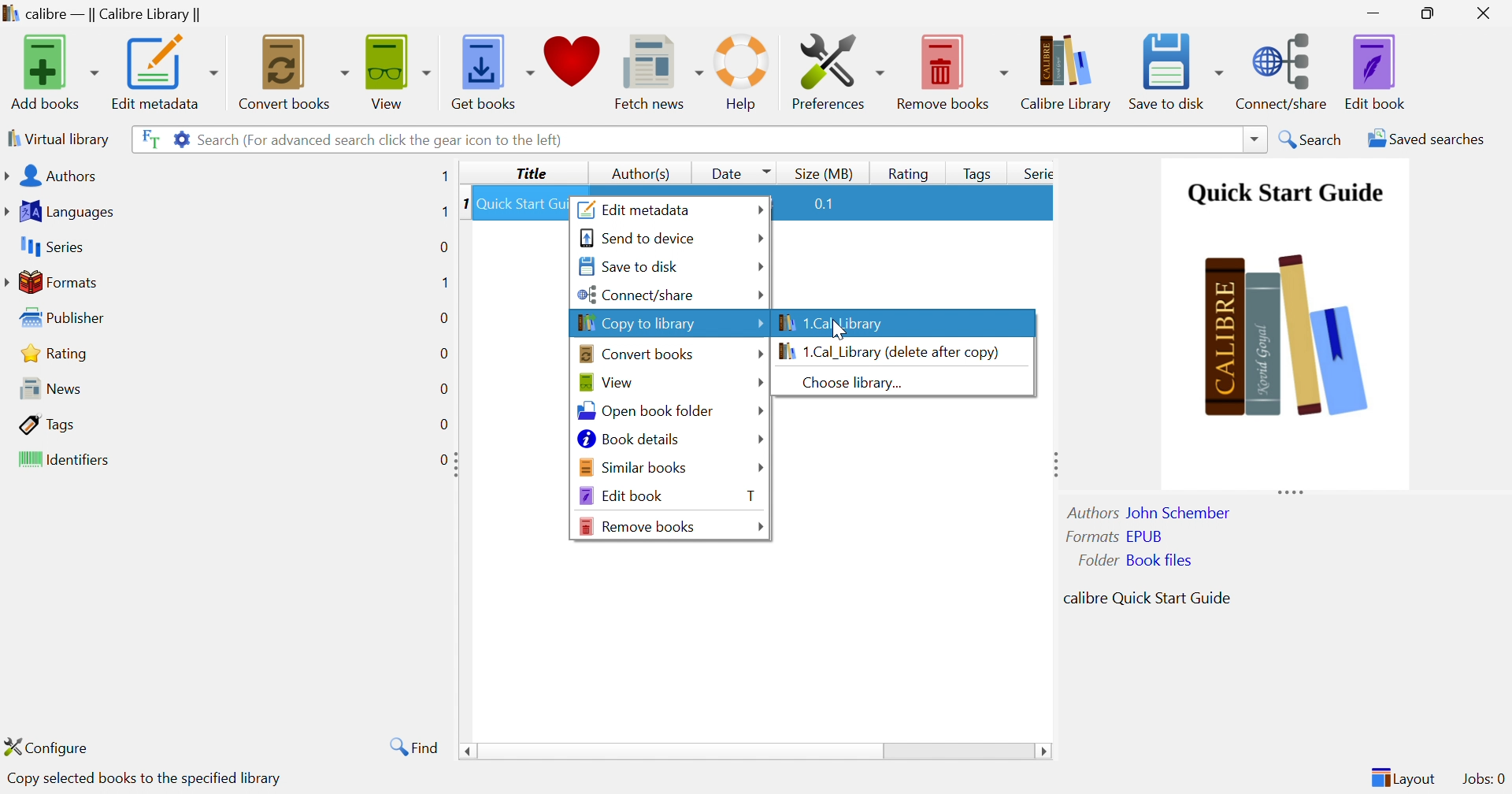 The width and height of the screenshot is (1512, 794). I want to click on Size (MB), so click(823, 173).